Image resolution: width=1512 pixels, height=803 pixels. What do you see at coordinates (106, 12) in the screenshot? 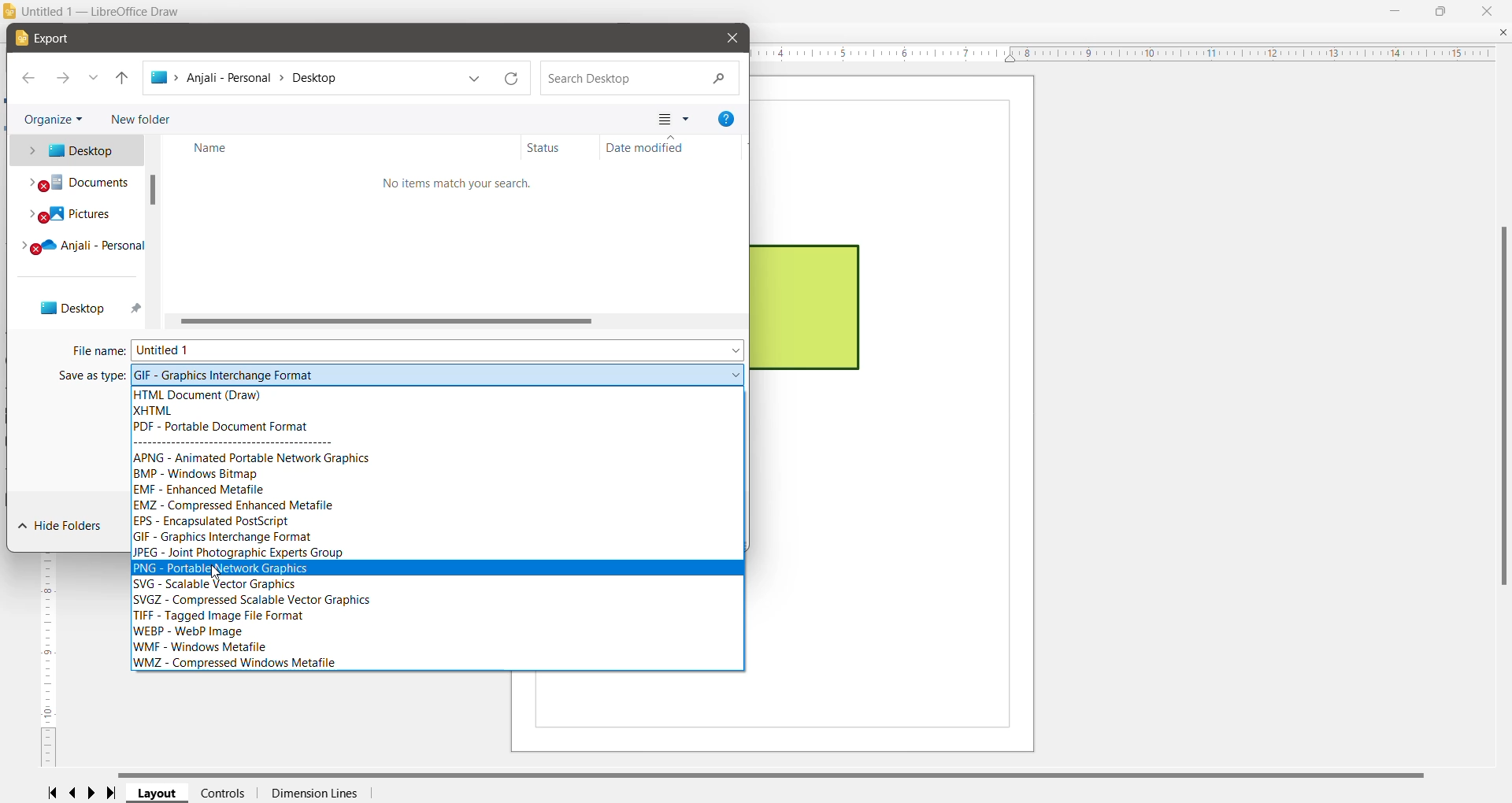
I see `Document Title - Application Name` at bounding box center [106, 12].